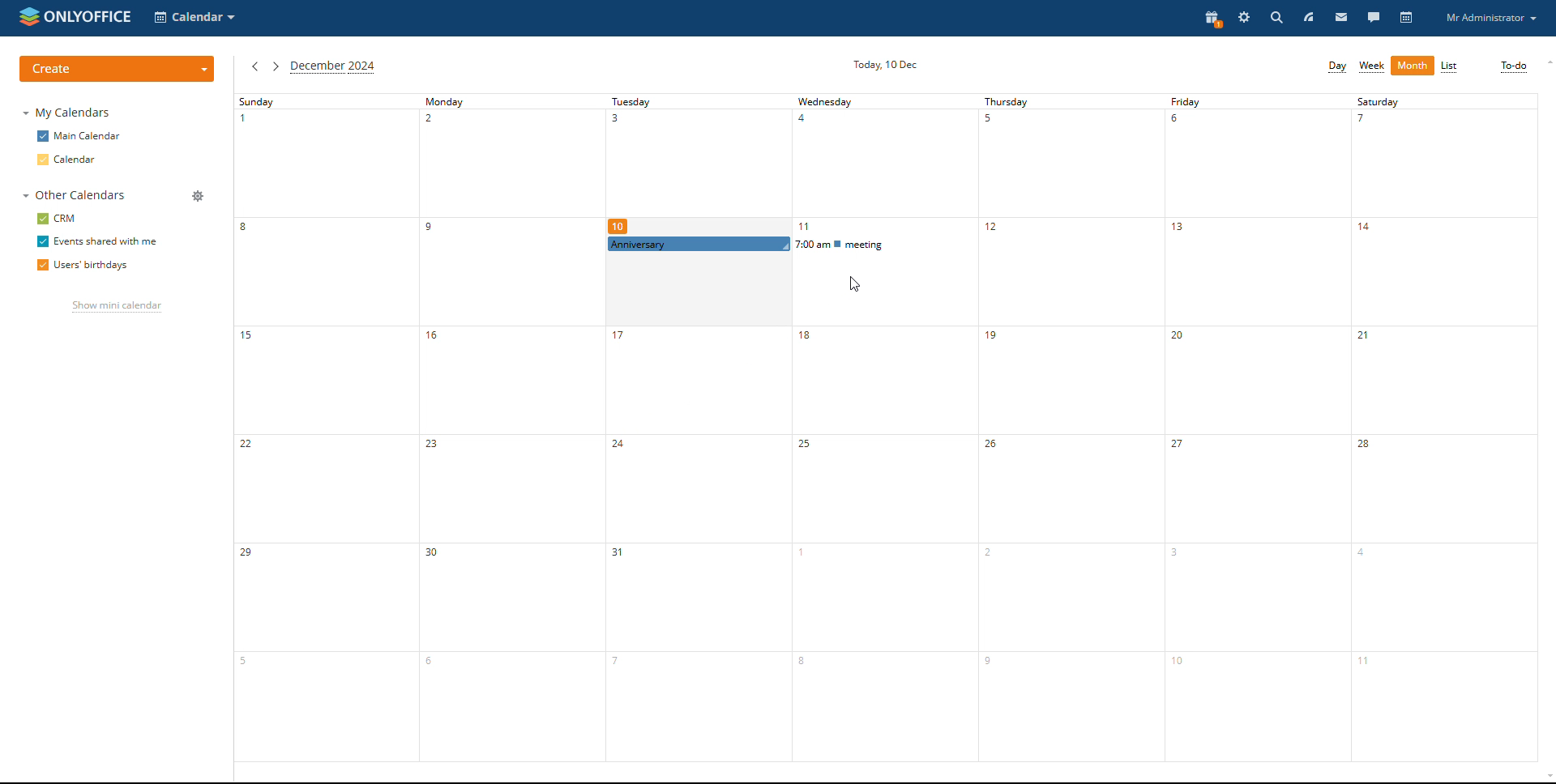  What do you see at coordinates (1546, 62) in the screenshot?
I see `scroll up` at bounding box center [1546, 62].